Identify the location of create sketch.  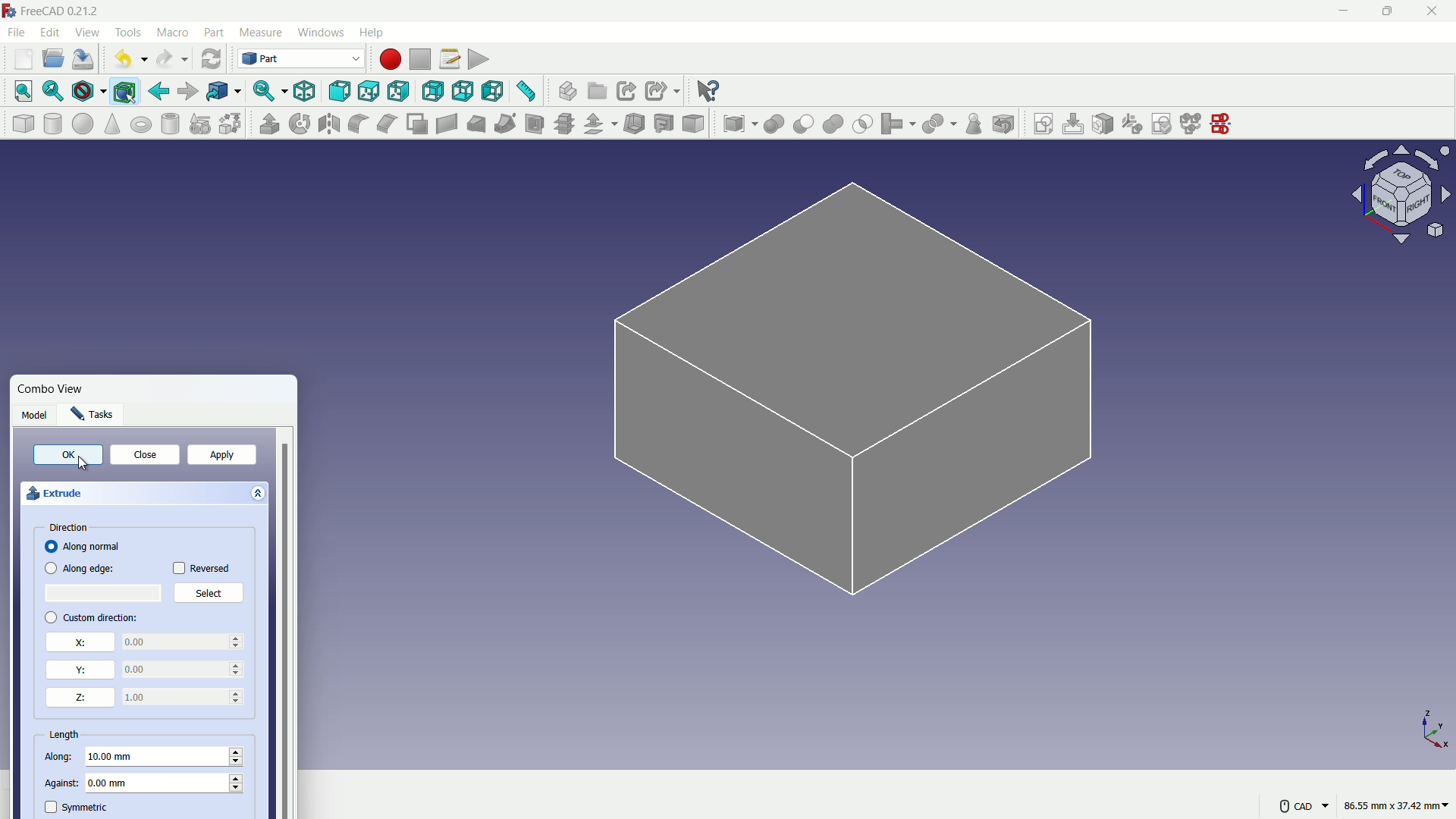
(1043, 122).